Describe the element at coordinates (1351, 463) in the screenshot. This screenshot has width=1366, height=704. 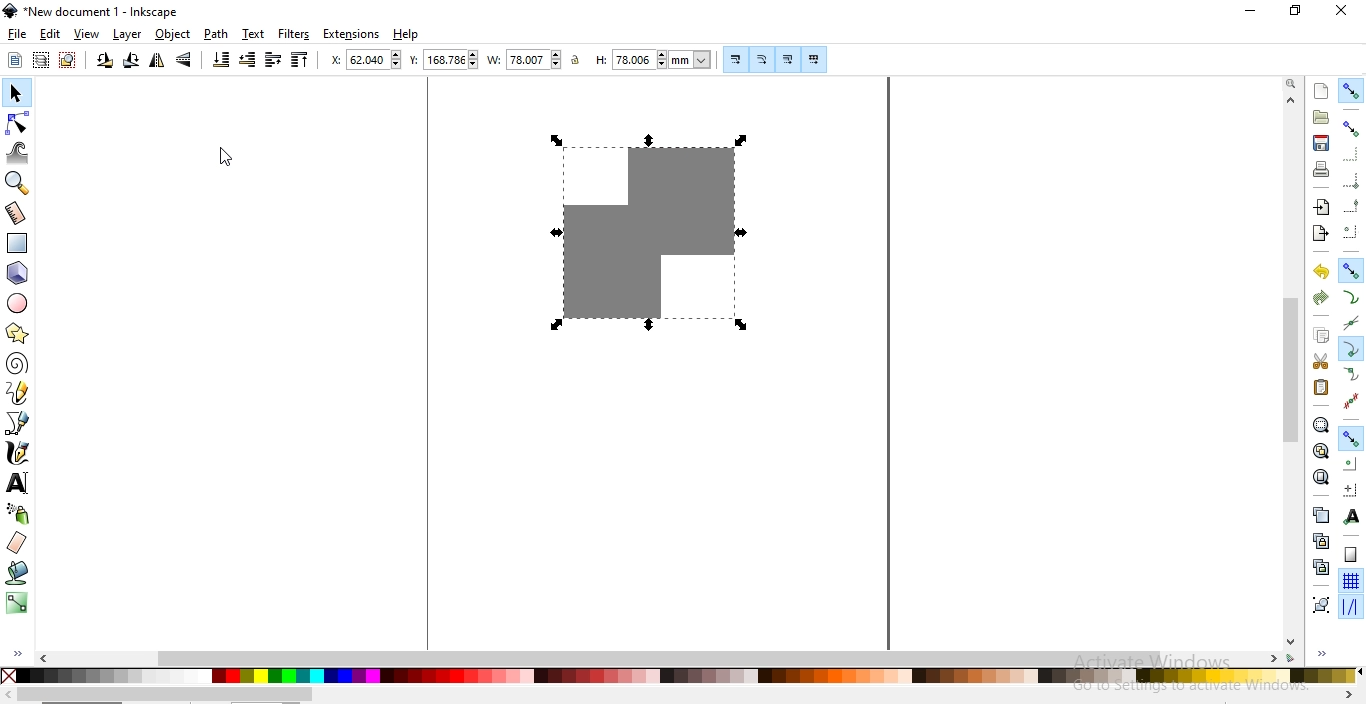
I see `snap centers of objects` at that location.